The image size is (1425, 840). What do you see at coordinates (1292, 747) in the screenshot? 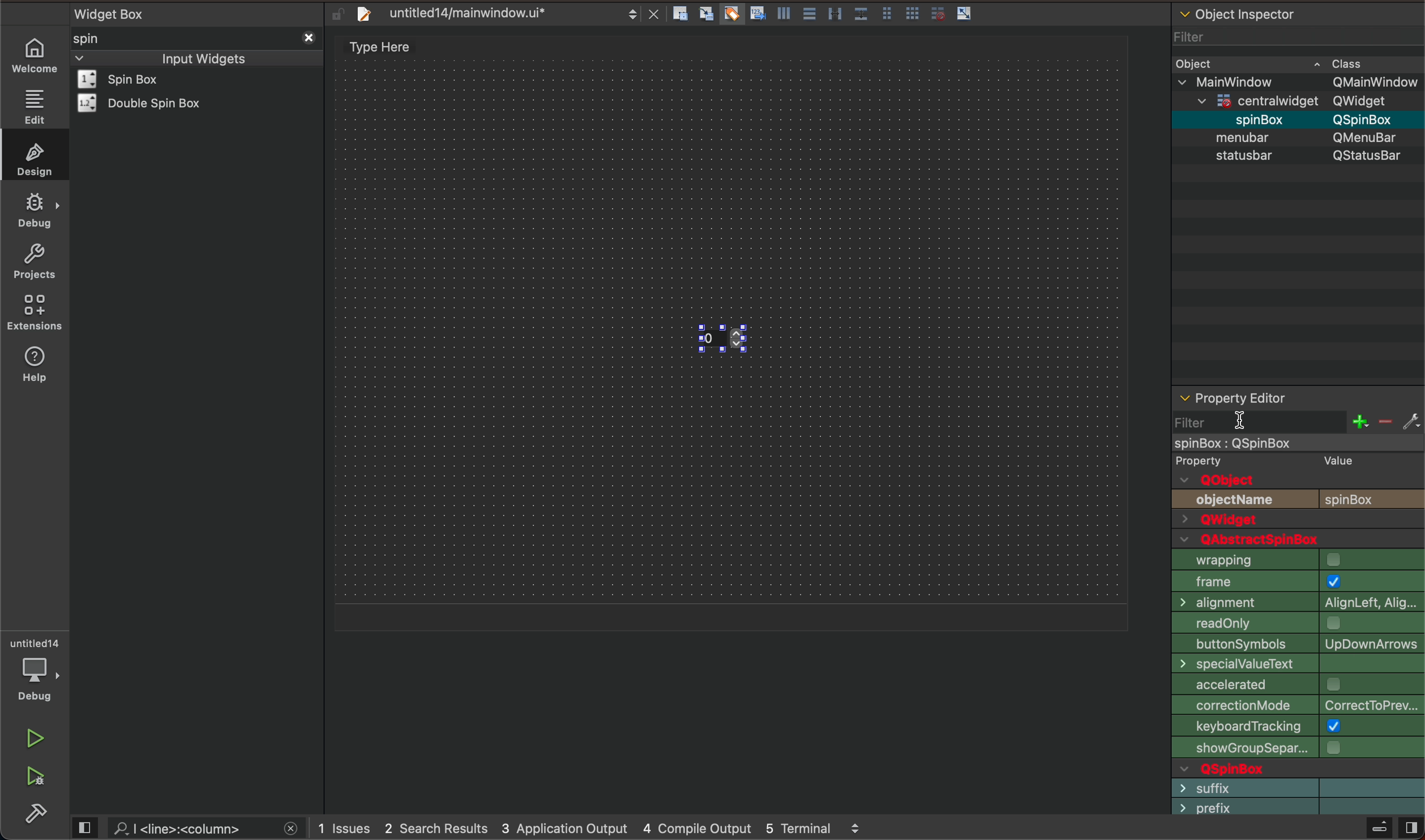
I see `text` at bounding box center [1292, 747].